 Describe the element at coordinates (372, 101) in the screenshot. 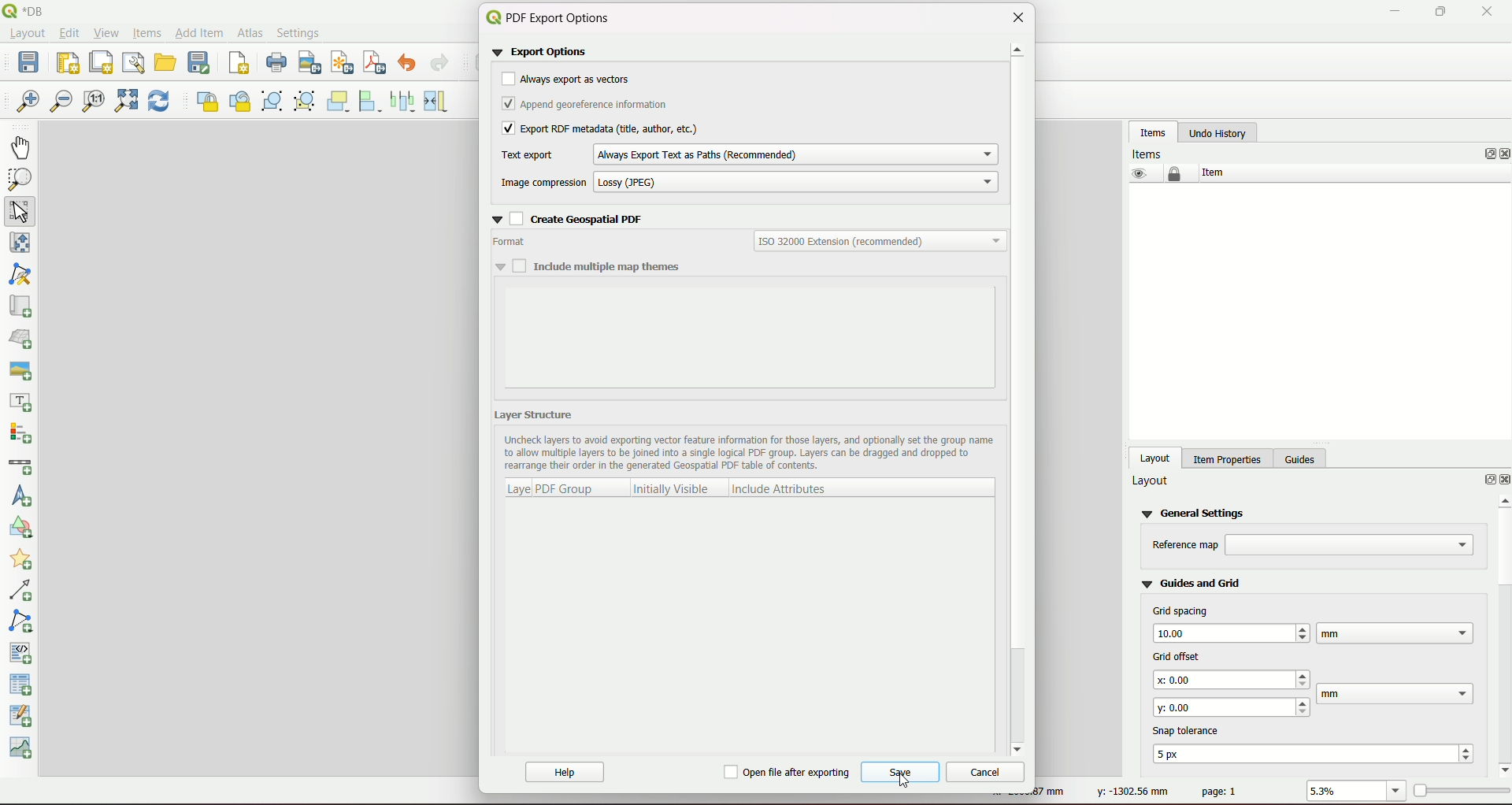

I see `align selected` at that location.